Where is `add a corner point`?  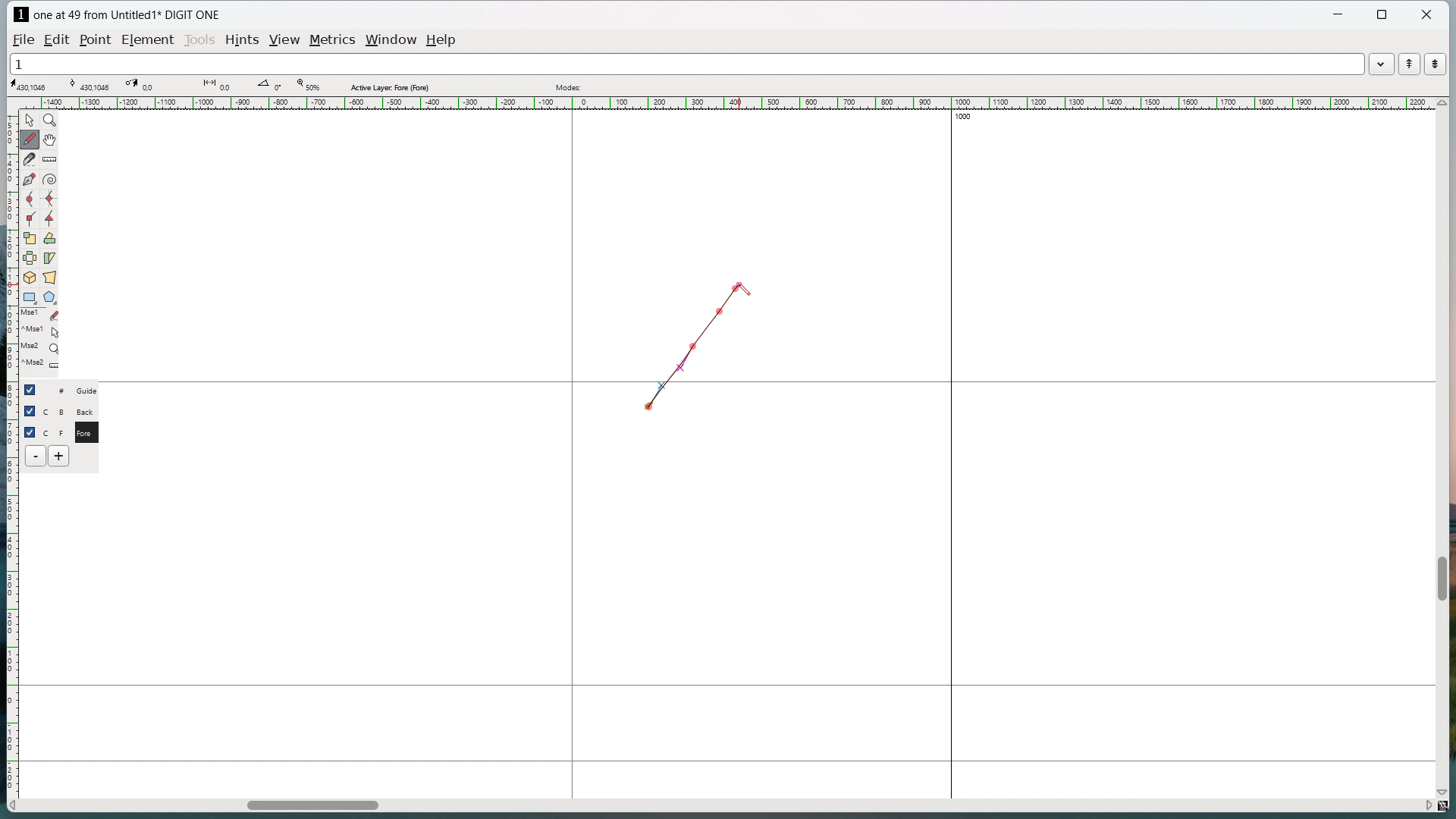
add a corner point is located at coordinates (30, 218).